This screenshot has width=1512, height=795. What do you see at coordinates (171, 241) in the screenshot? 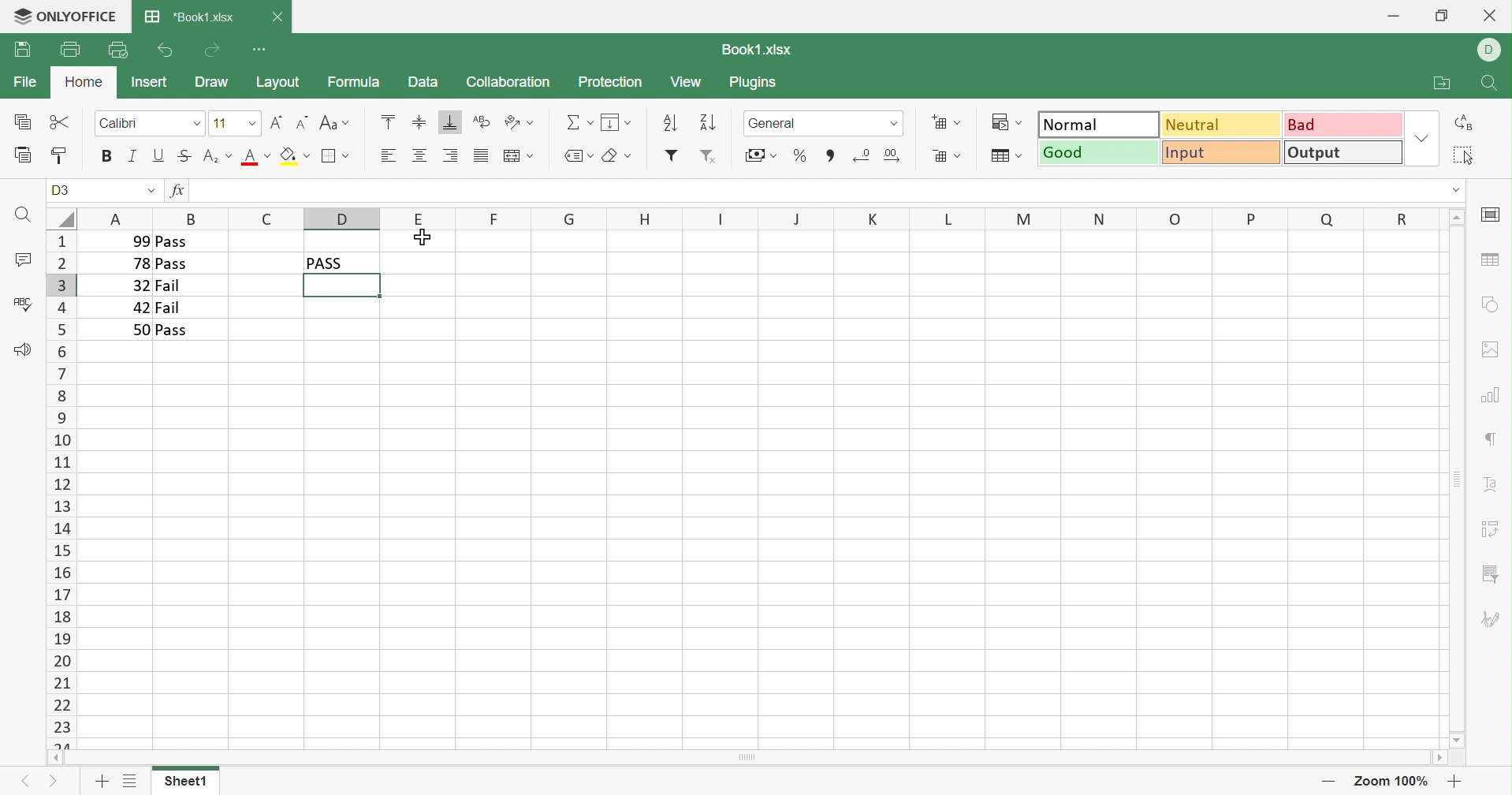
I see `Pass` at bounding box center [171, 241].